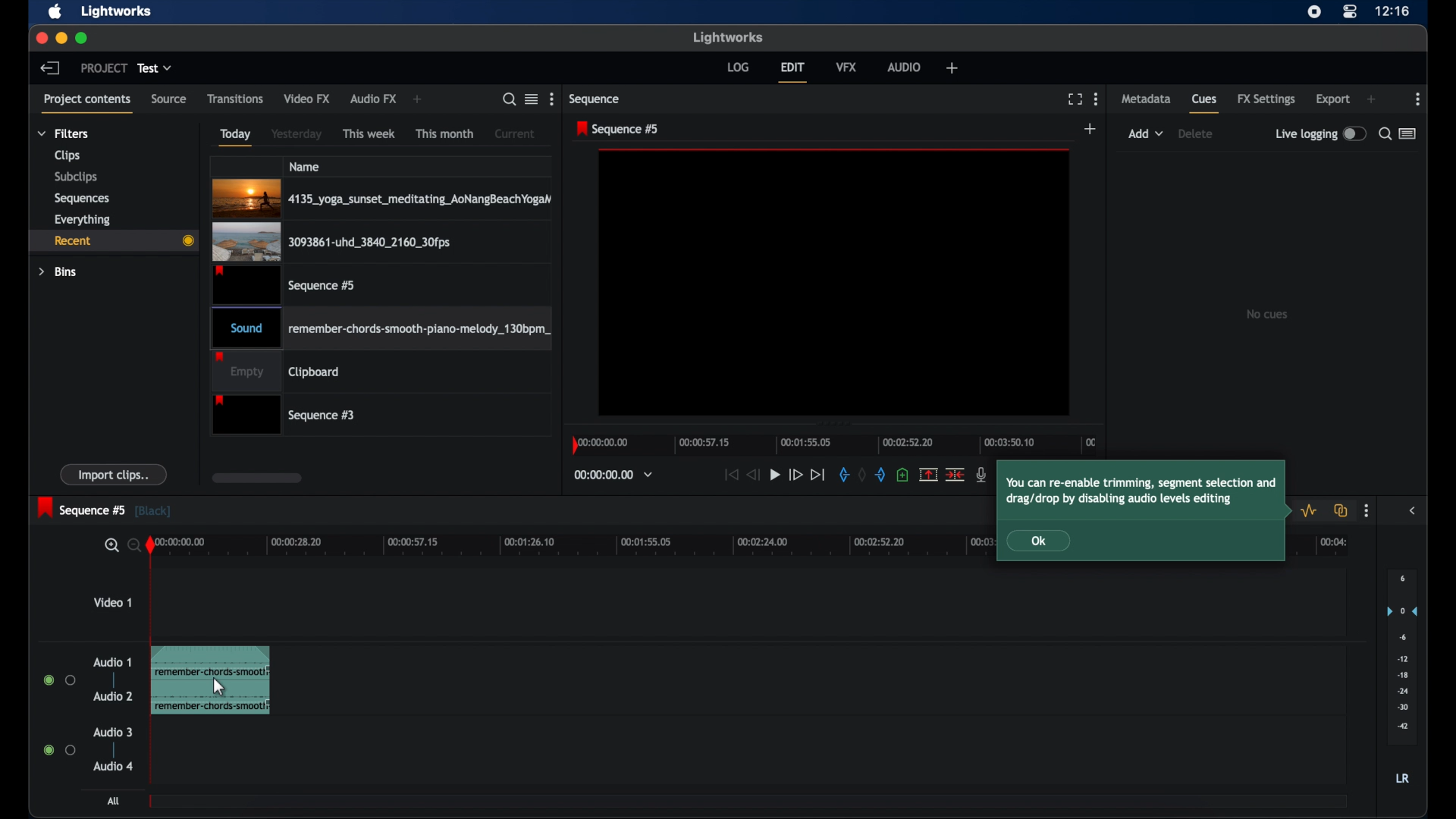 This screenshot has width=1456, height=819. Describe the element at coordinates (1392, 12) in the screenshot. I see `time` at that location.